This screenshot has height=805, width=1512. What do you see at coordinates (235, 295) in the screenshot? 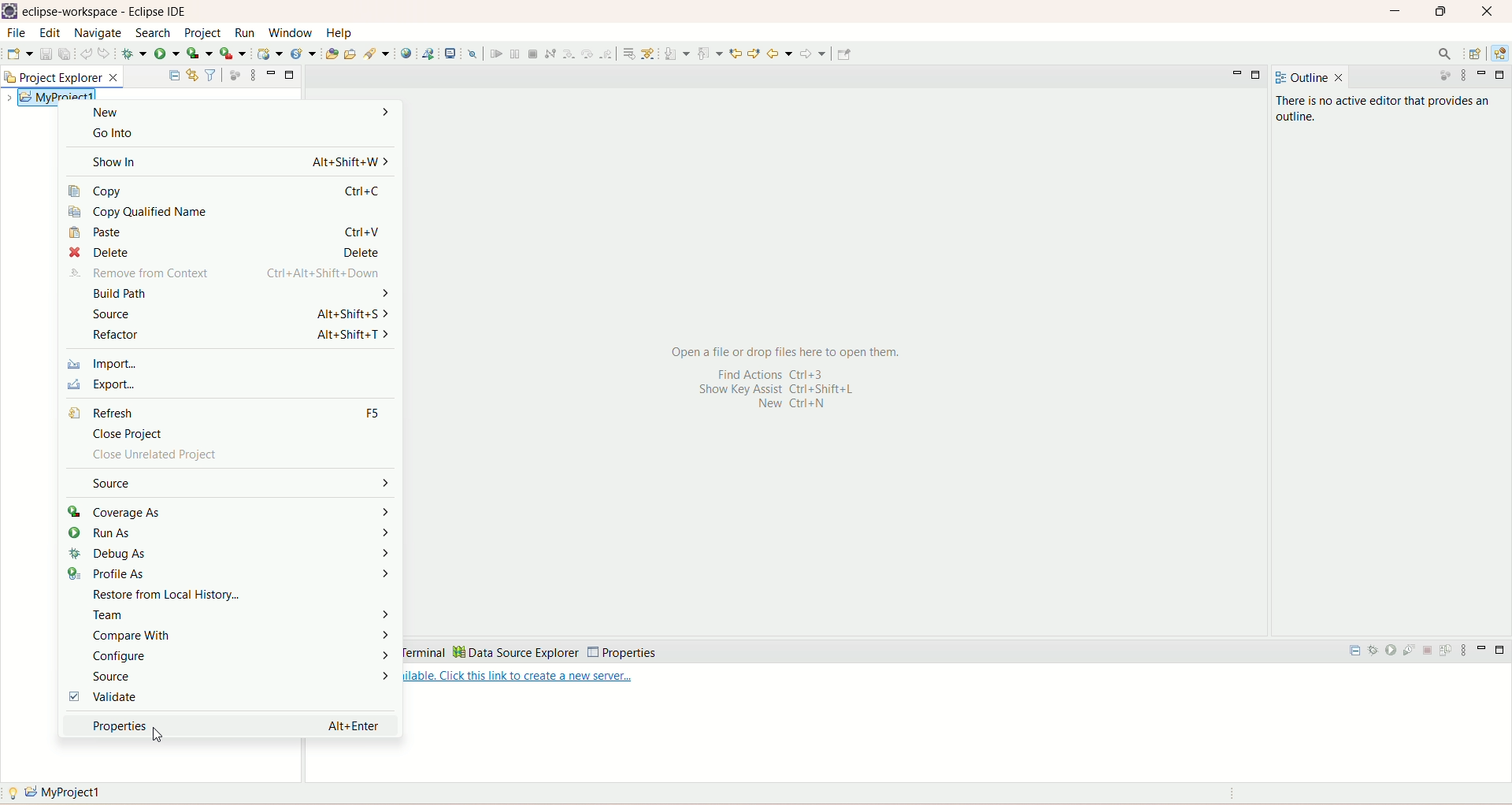
I see `build path` at bounding box center [235, 295].